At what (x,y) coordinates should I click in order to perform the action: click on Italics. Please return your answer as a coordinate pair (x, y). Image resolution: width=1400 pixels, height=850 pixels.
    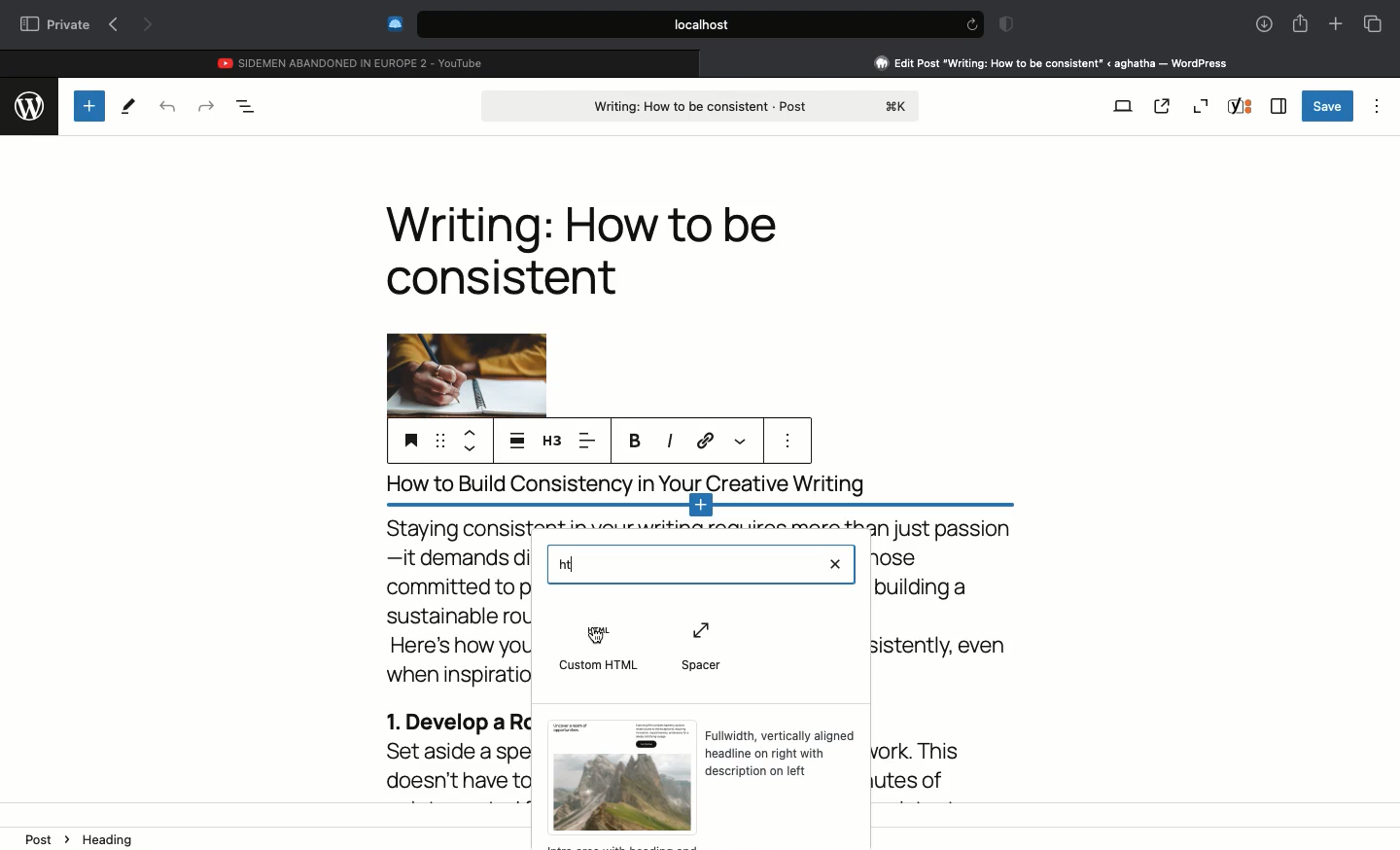
    Looking at the image, I should click on (670, 442).